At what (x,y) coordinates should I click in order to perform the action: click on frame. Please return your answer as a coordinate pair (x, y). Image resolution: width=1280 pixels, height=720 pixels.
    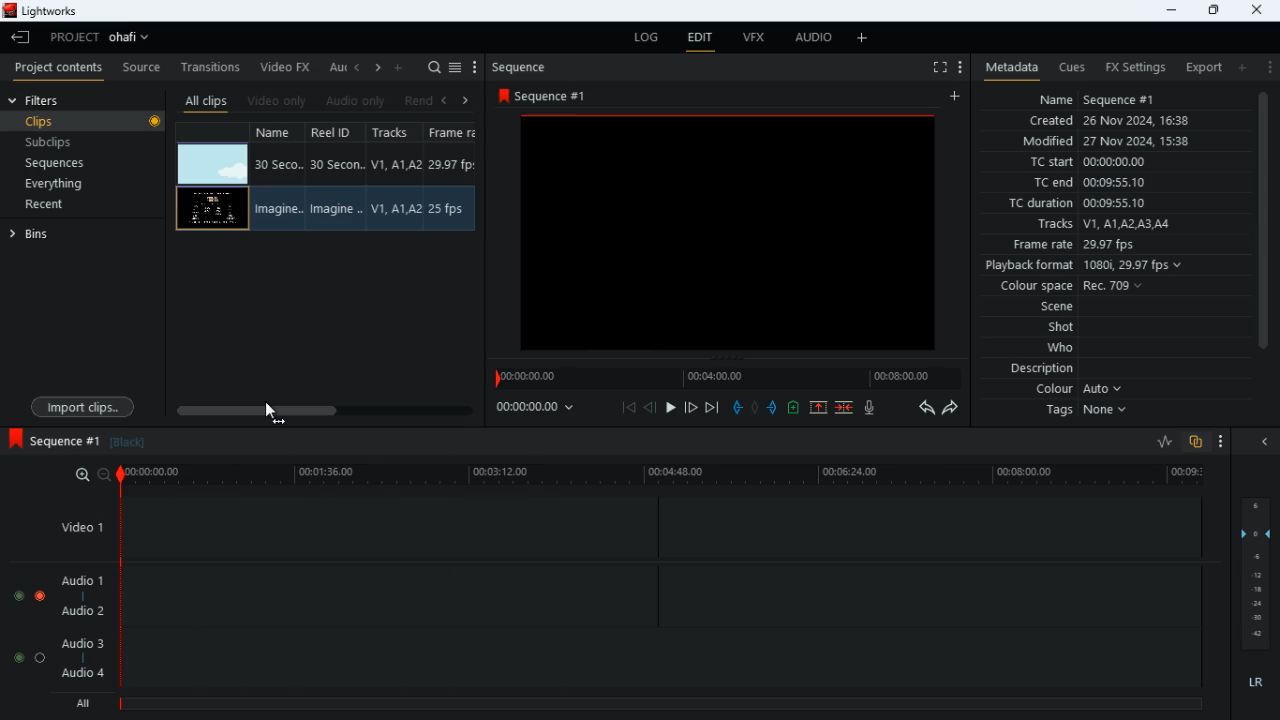
    Looking at the image, I should click on (454, 179).